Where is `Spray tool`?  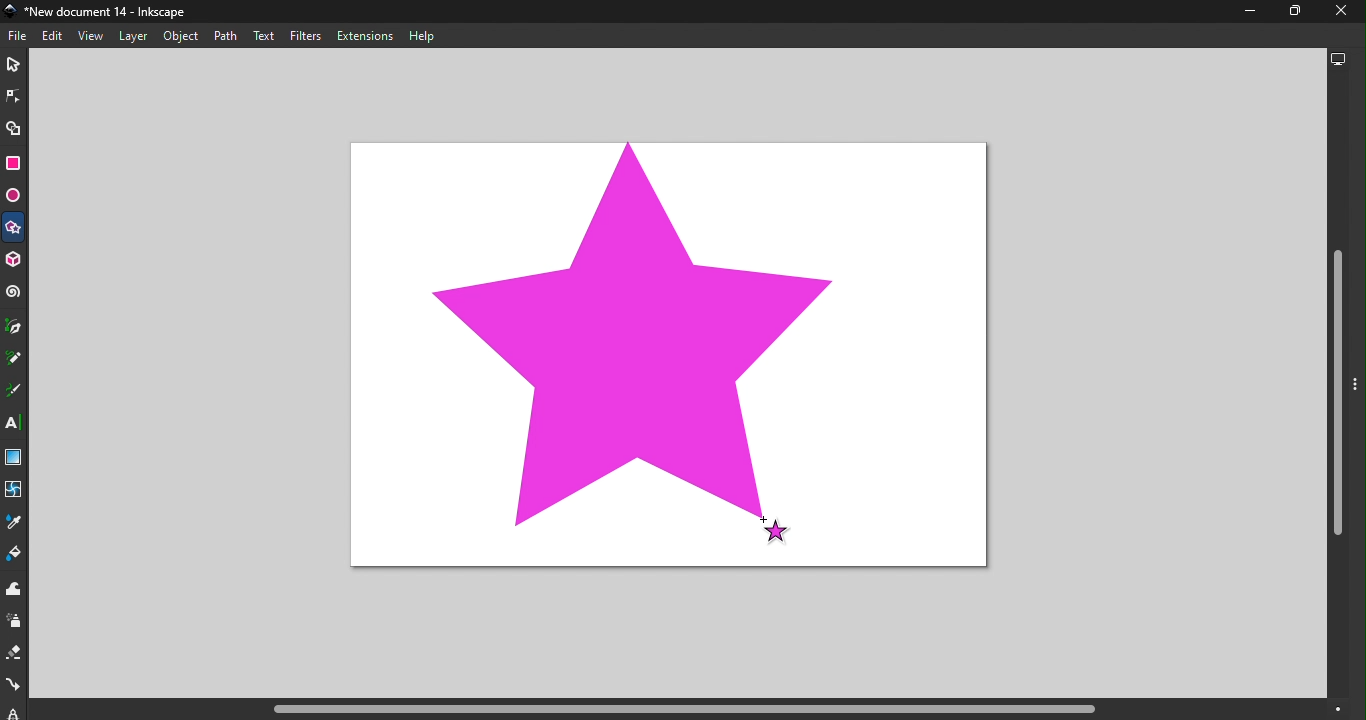 Spray tool is located at coordinates (15, 621).